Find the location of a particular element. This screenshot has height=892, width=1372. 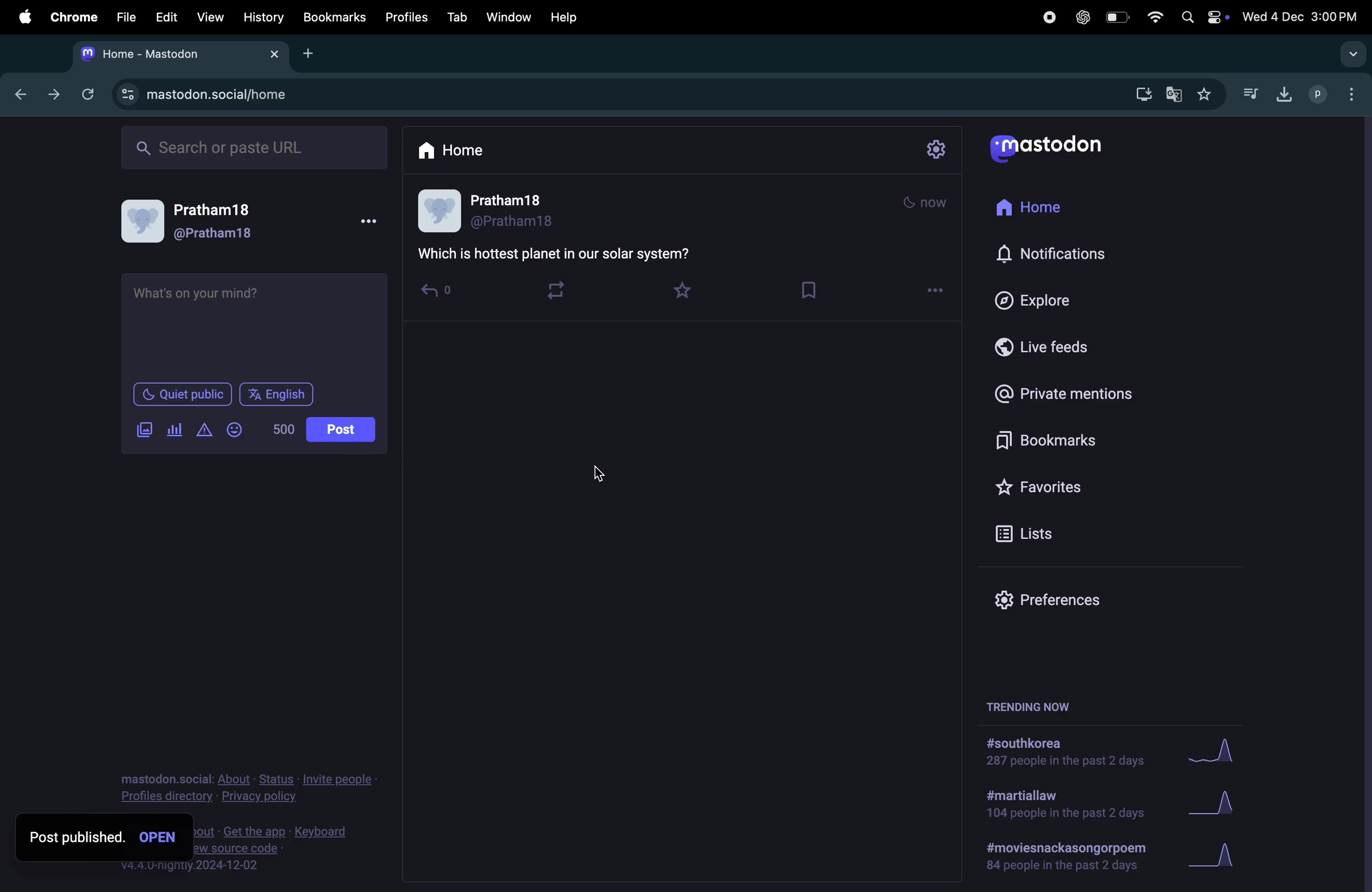

refresh is located at coordinates (87, 95).